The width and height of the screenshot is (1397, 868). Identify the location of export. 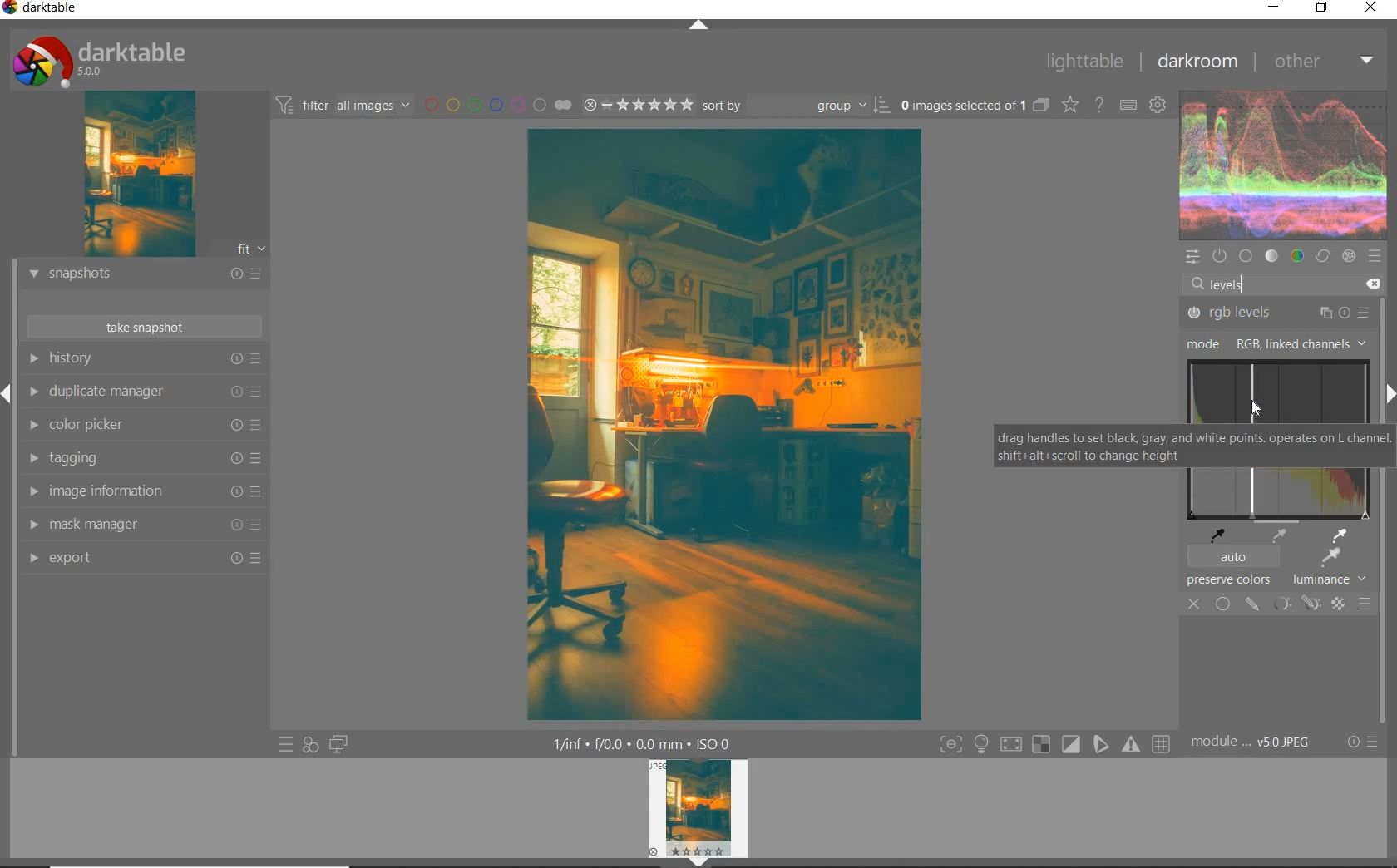
(143, 559).